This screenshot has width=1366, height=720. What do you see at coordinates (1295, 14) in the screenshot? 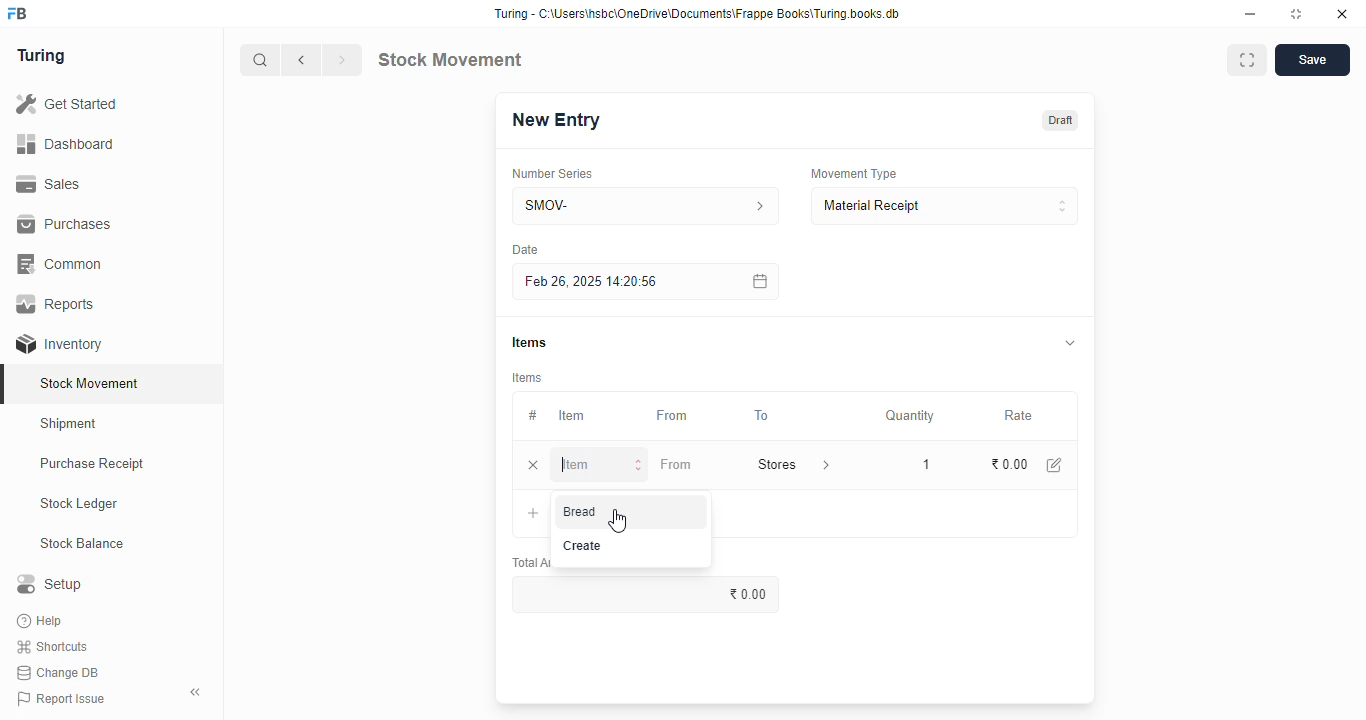
I see `toggle maximize` at bounding box center [1295, 14].